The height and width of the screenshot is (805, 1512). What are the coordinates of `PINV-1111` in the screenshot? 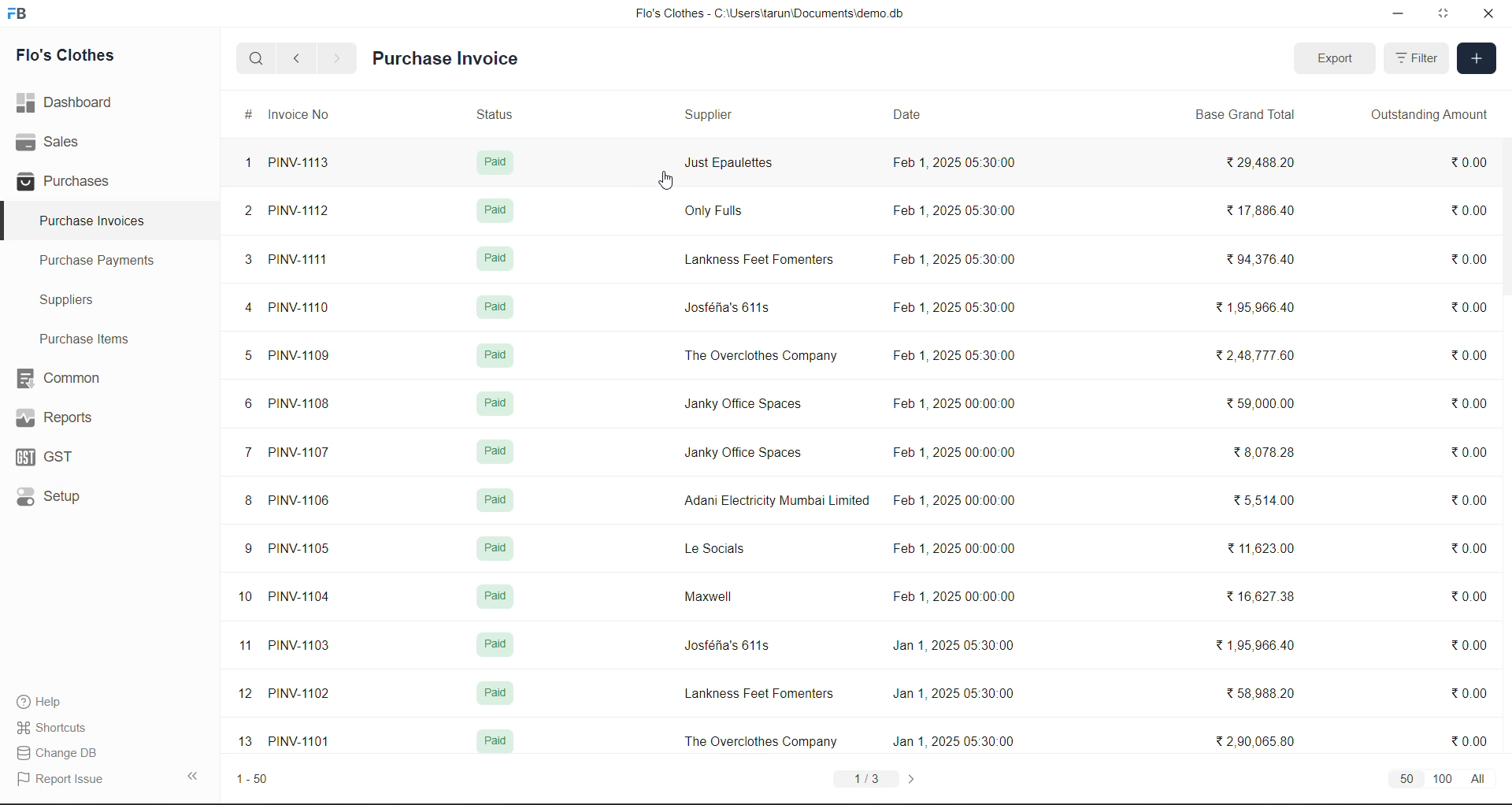 It's located at (307, 258).